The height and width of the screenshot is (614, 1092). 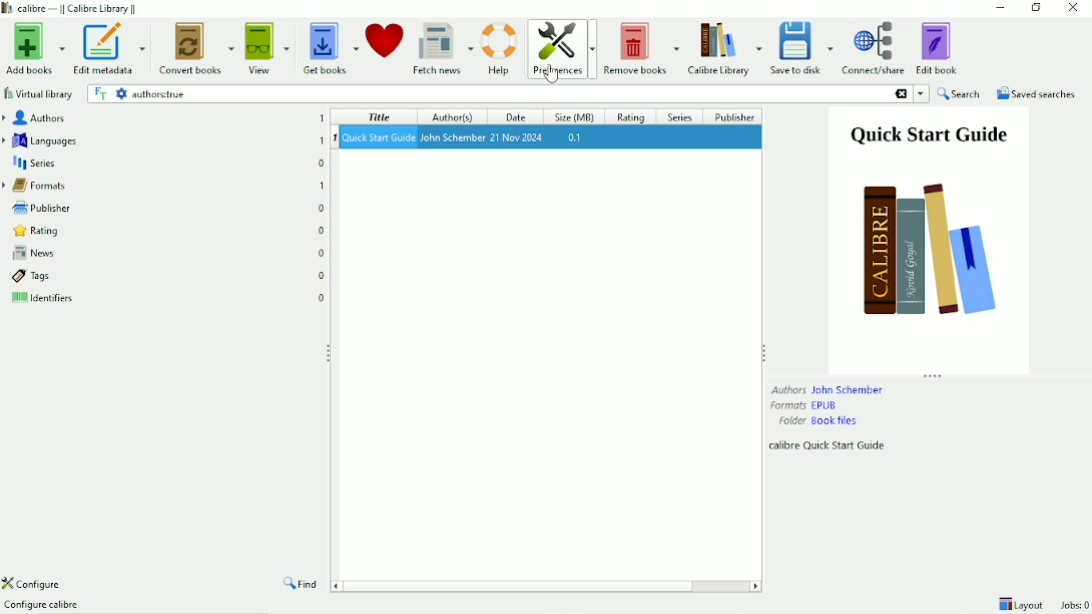 I want to click on Rating, so click(x=165, y=232).